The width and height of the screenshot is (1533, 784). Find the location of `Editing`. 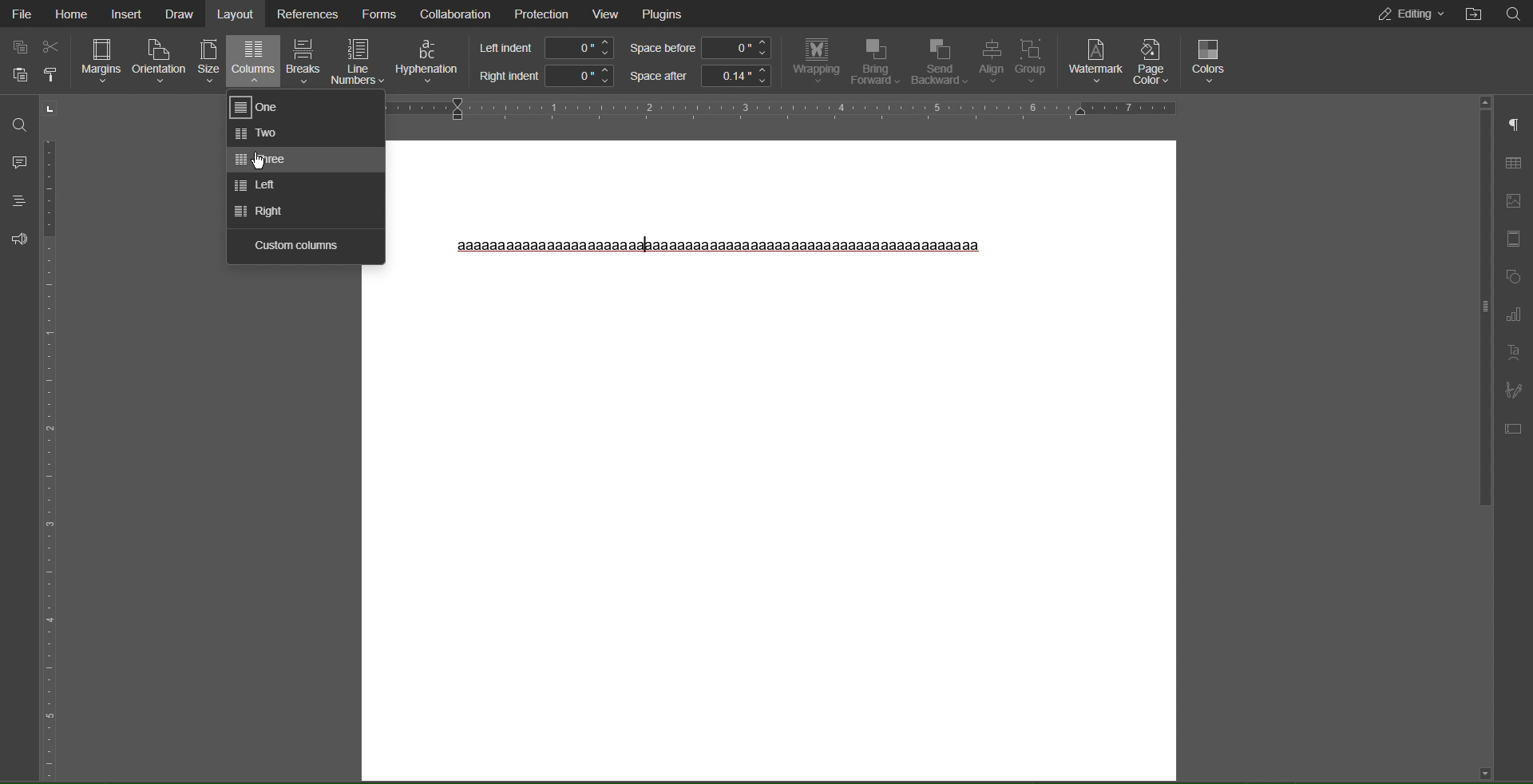

Editing is located at coordinates (1404, 14).